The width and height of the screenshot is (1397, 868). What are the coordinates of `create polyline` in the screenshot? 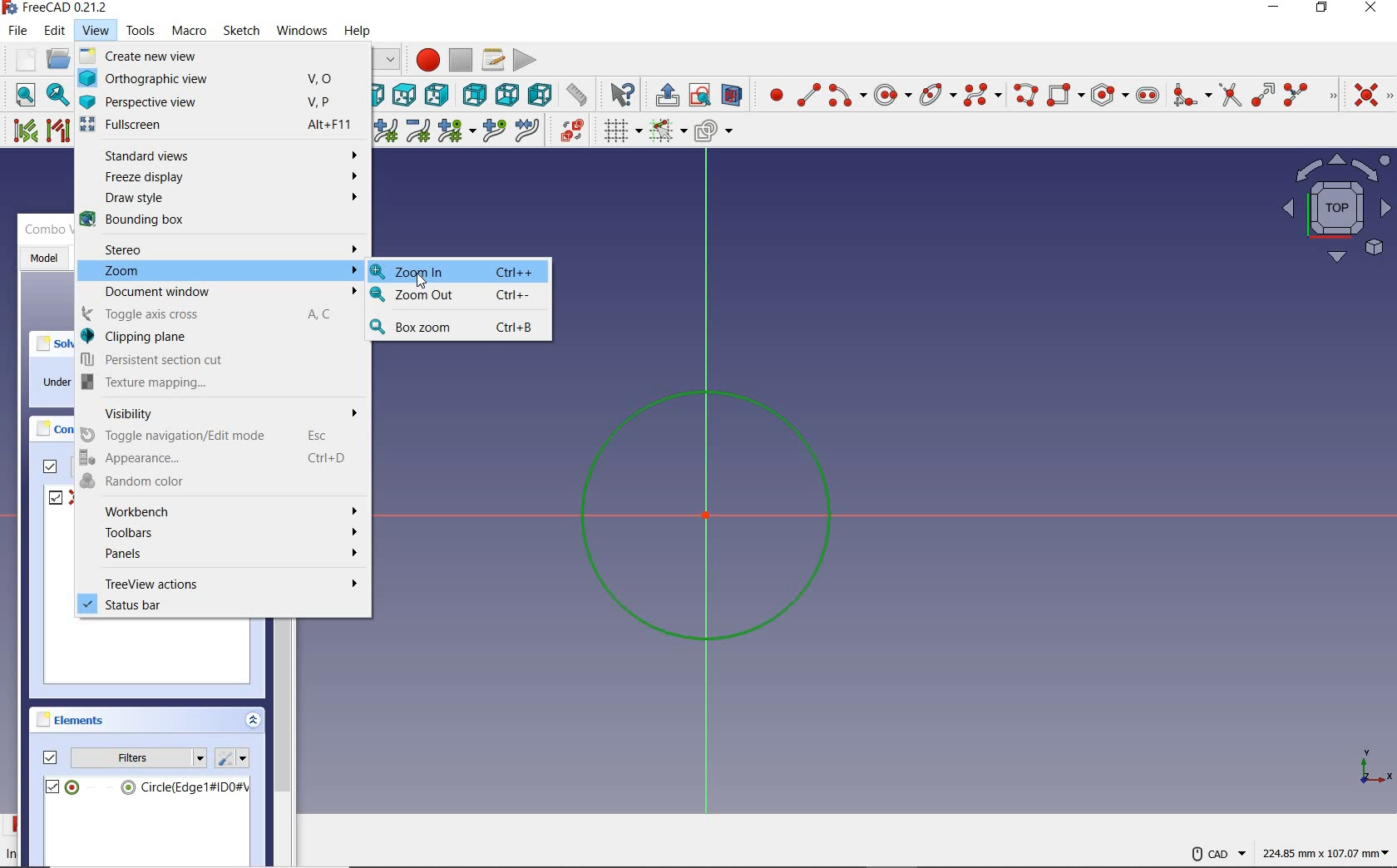 It's located at (1024, 96).